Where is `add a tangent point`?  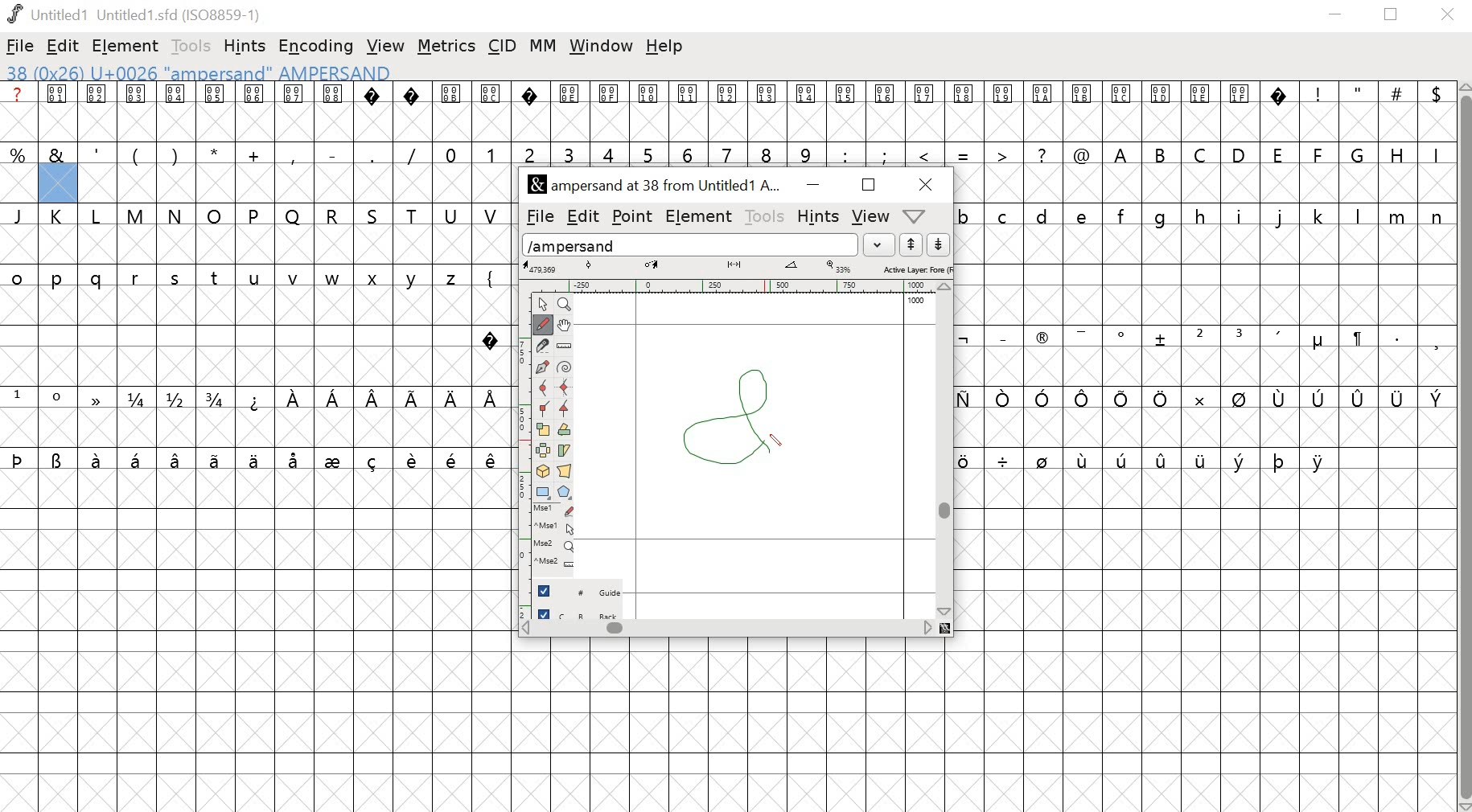
add a tangent point is located at coordinates (566, 411).